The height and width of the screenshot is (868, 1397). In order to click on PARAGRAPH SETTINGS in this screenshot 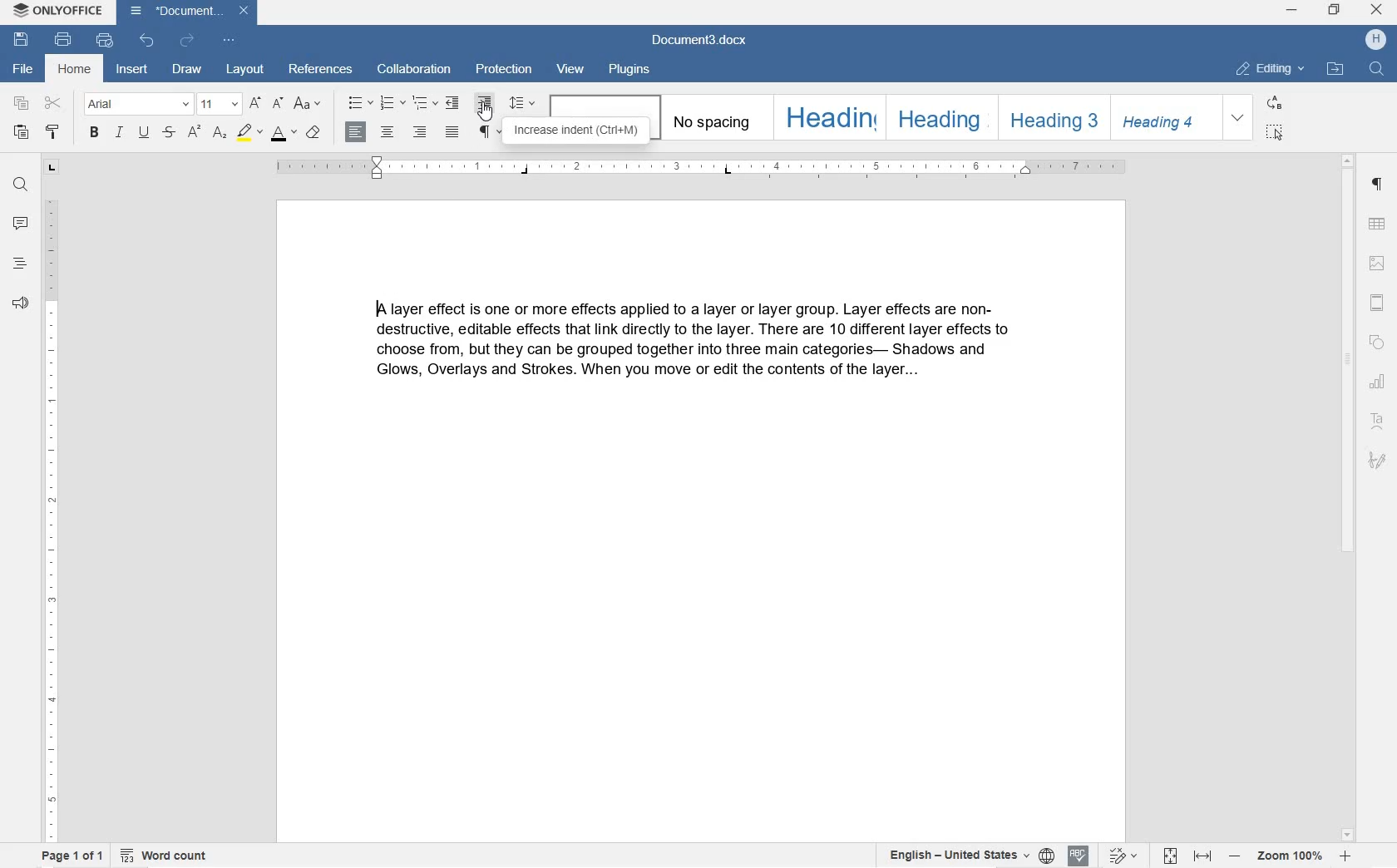, I will do `click(1377, 185)`.